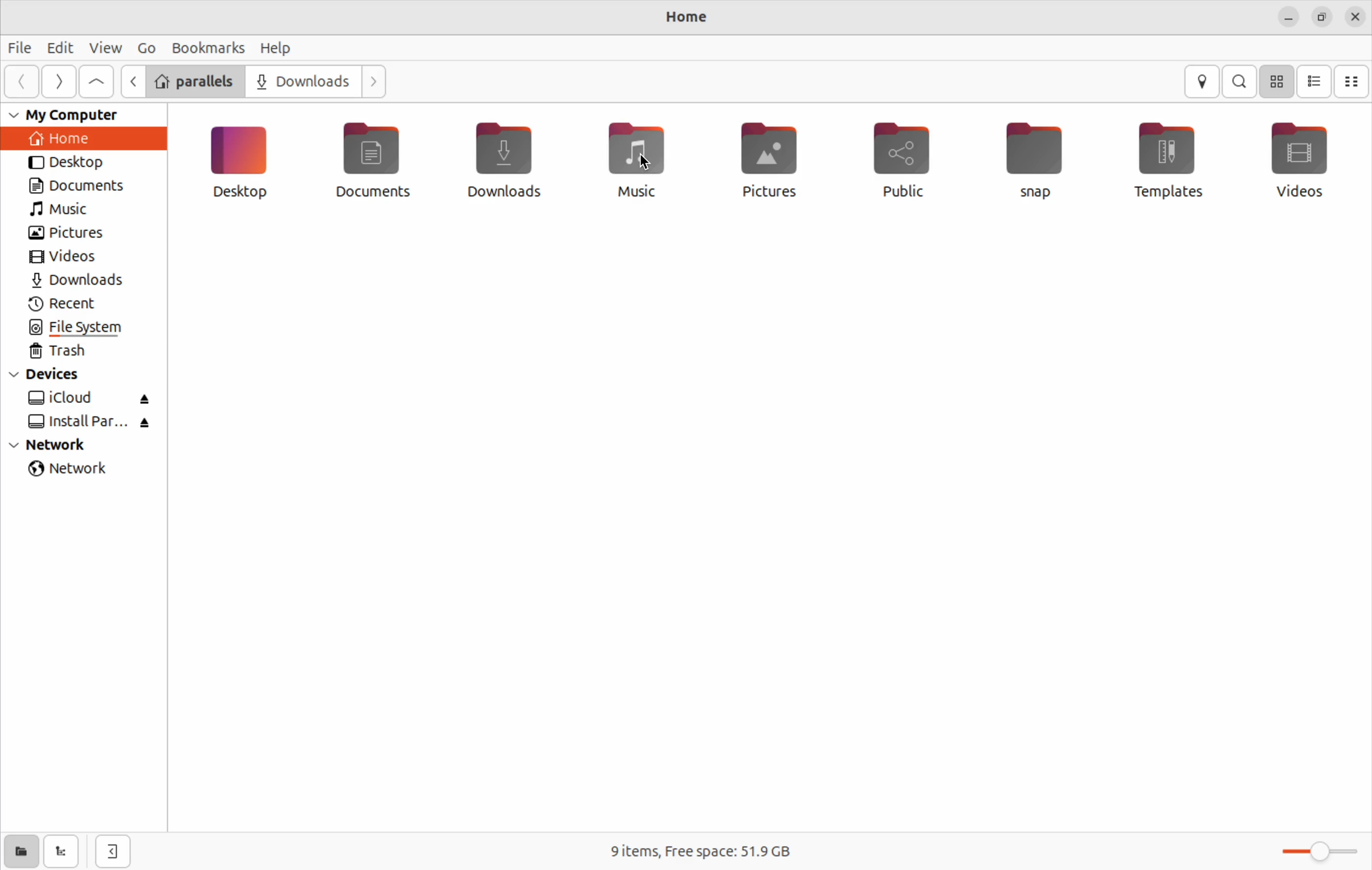 The height and width of the screenshot is (870, 1372). I want to click on Book marks, so click(209, 47).